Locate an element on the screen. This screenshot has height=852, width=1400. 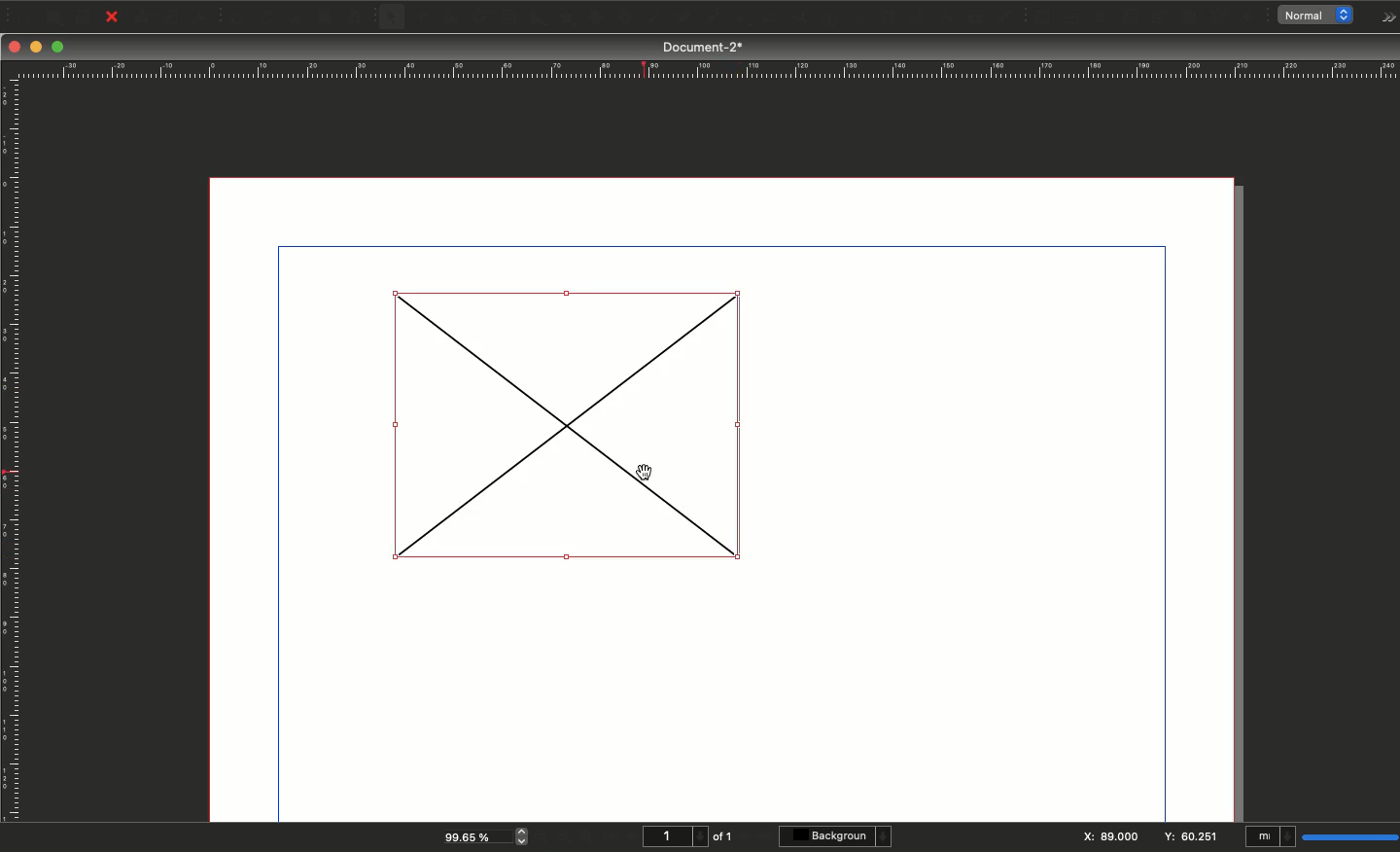
Undo is located at coordinates (237, 18).